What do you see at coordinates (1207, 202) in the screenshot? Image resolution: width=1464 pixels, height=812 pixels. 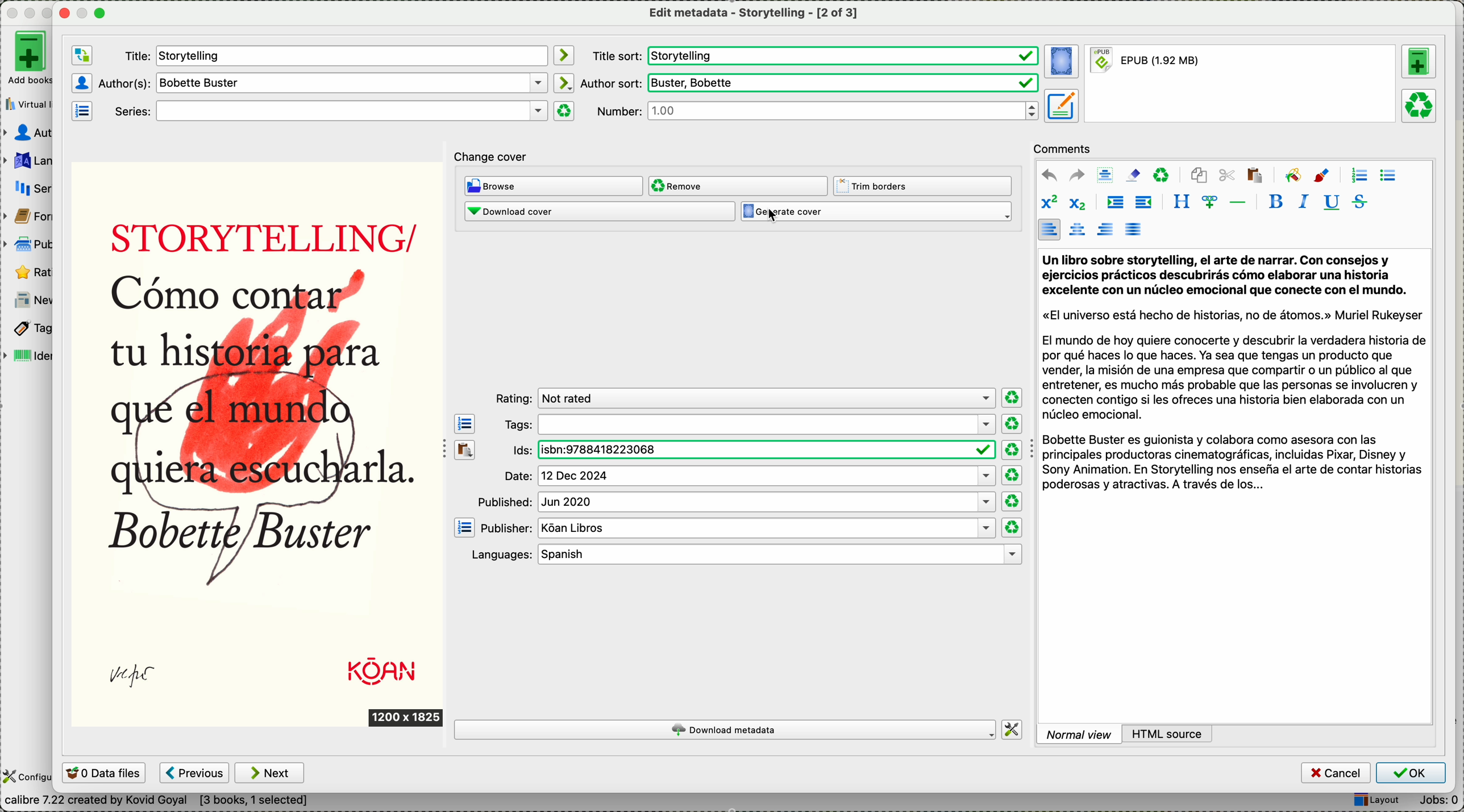 I see `insert link or image` at bounding box center [1207, 202].